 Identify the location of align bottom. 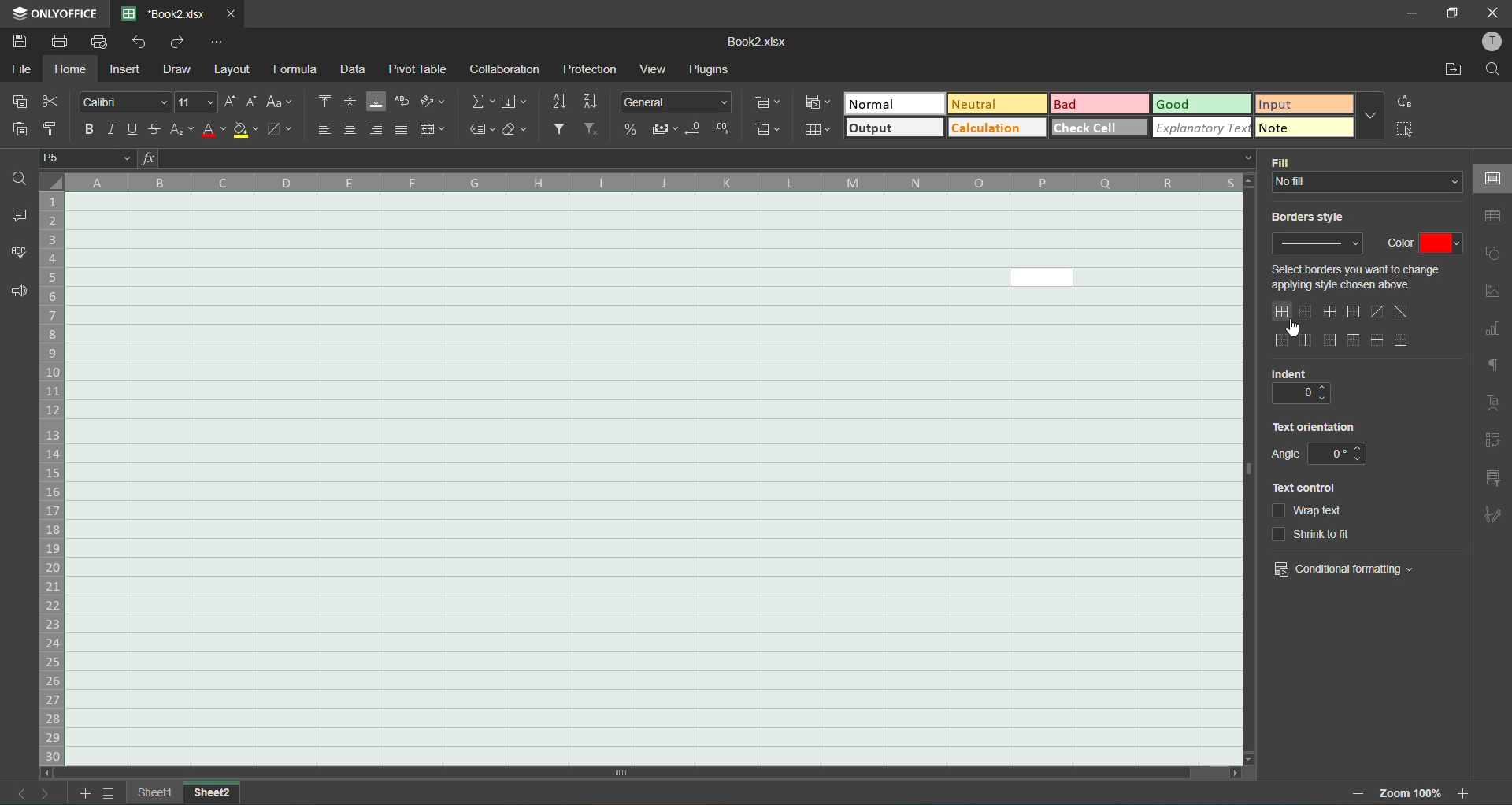
(379, 100).